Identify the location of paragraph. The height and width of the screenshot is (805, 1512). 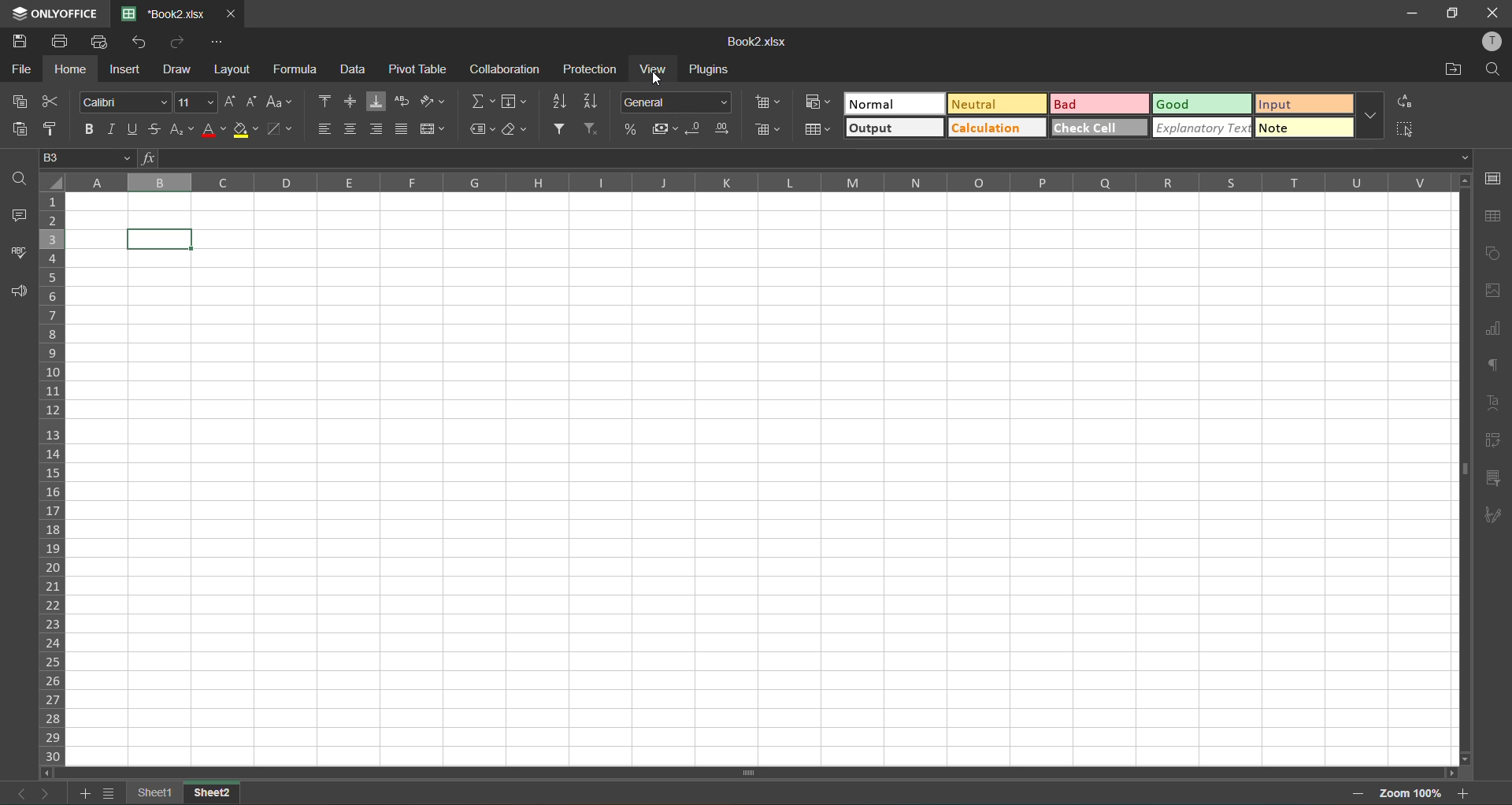
(1496, 367).